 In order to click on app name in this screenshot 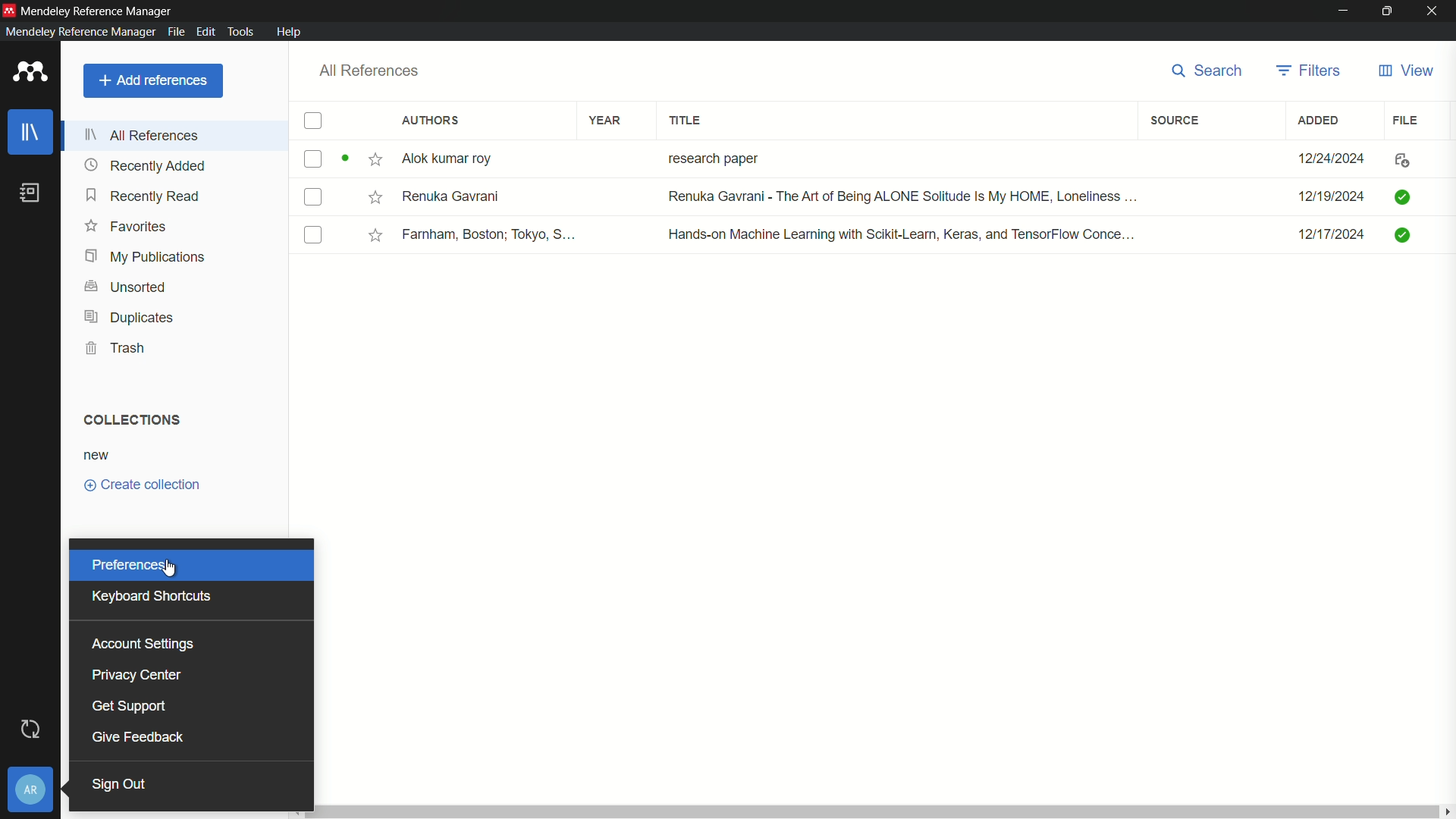, I will do `click(99, 10)`.